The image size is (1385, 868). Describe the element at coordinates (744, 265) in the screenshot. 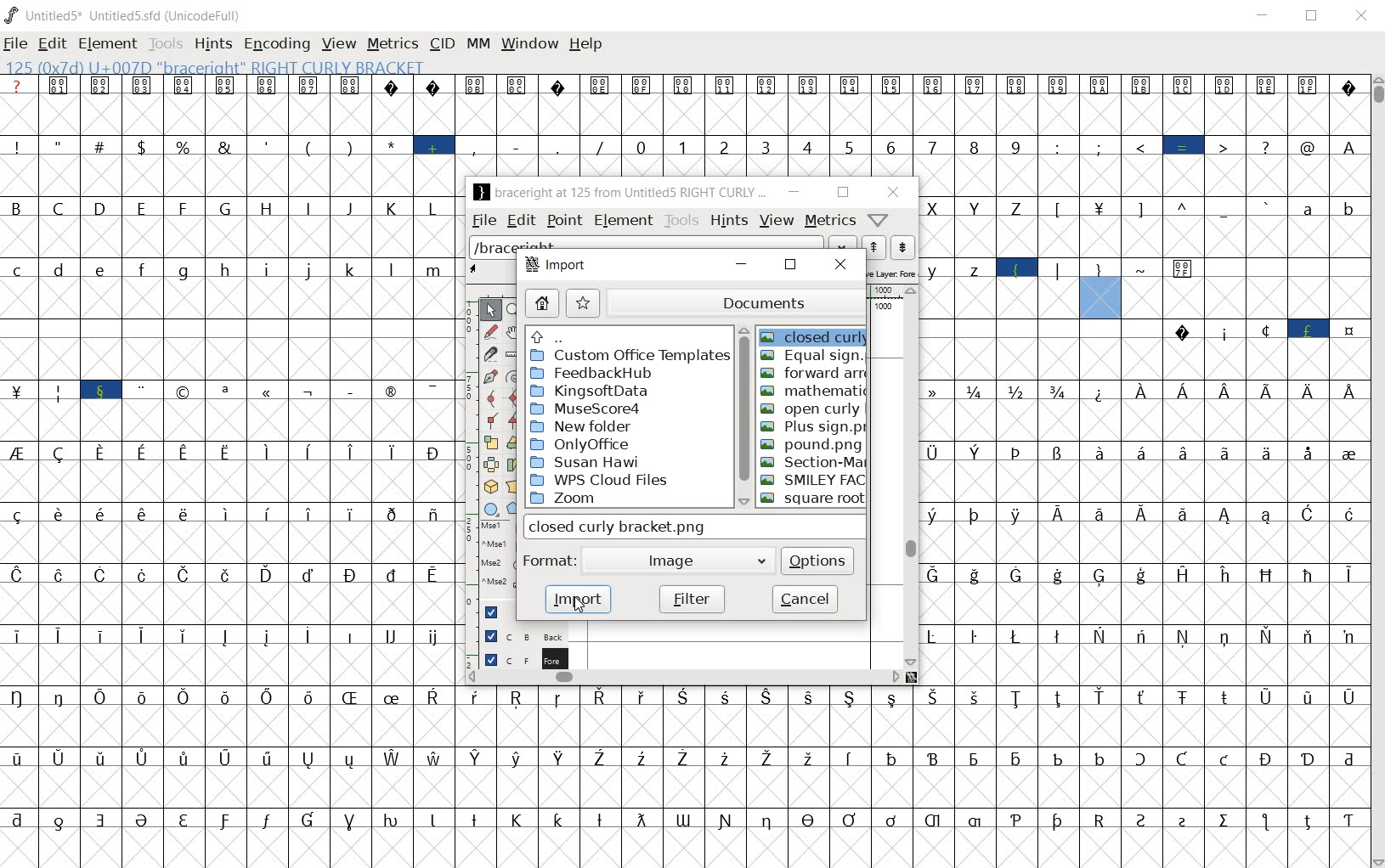

I see `minimize` at that location.